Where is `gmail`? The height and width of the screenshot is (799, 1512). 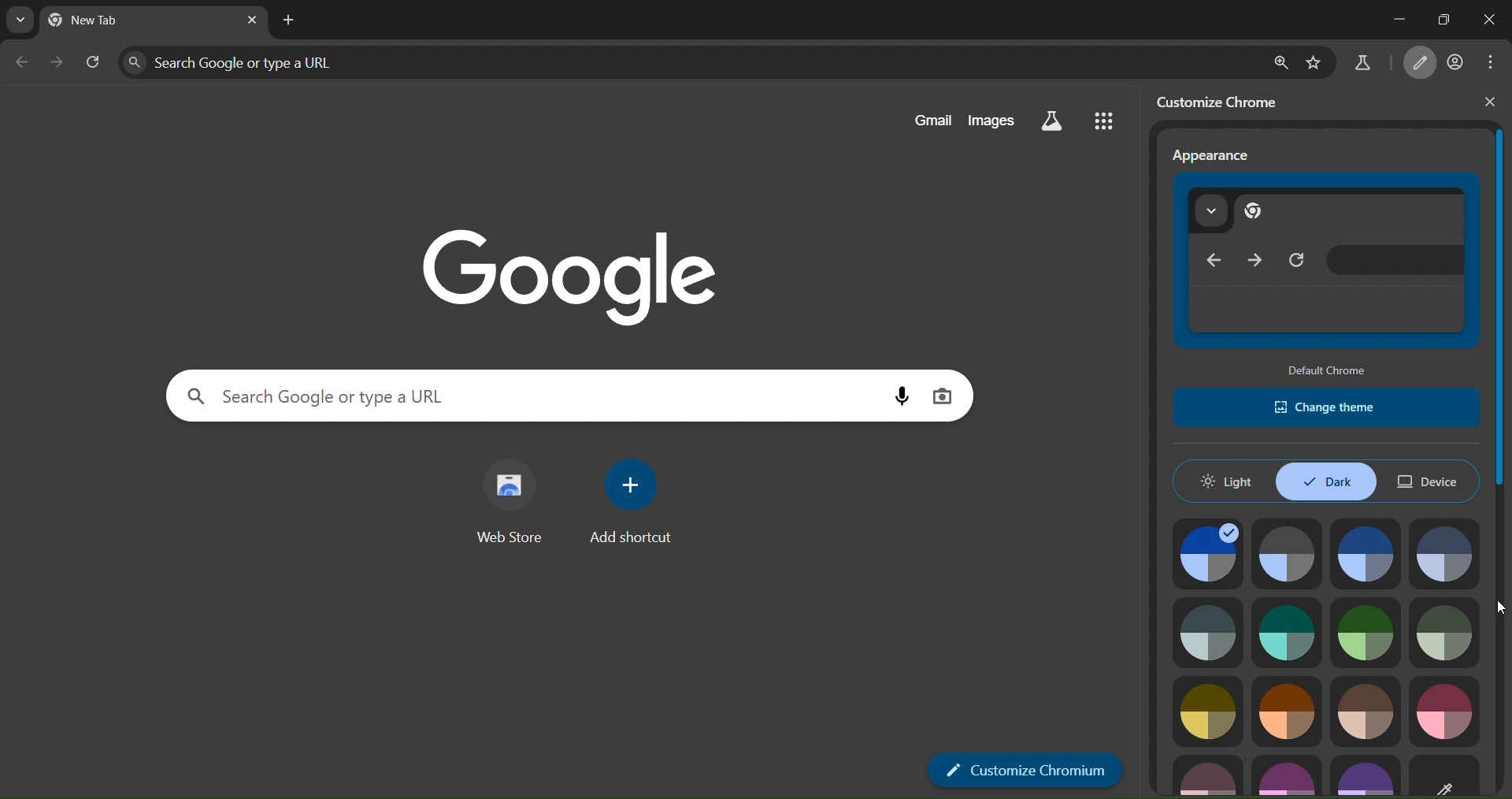 gmail is located at coordinates (928, 121).